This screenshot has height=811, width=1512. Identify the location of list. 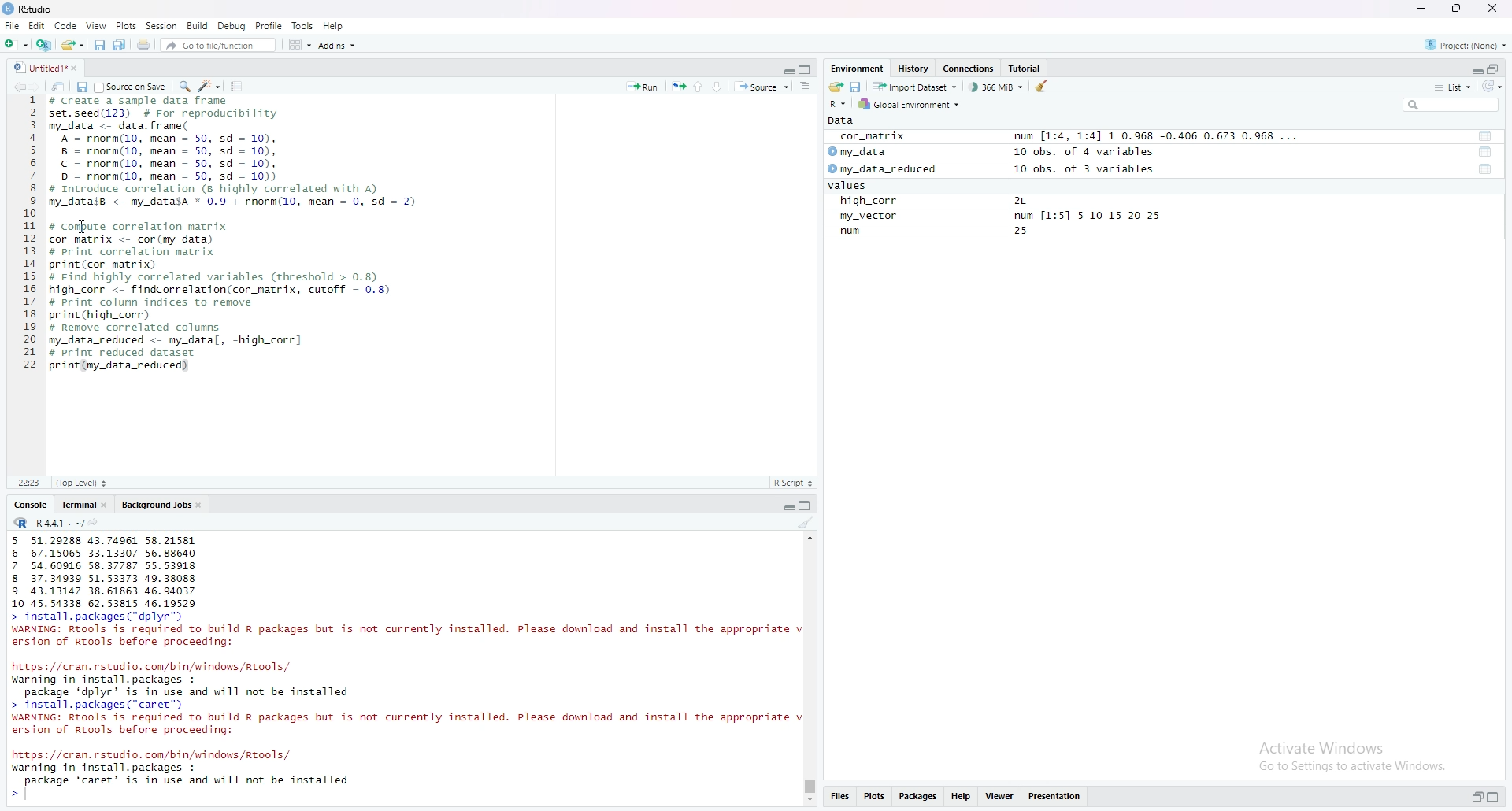
(1453, 87).